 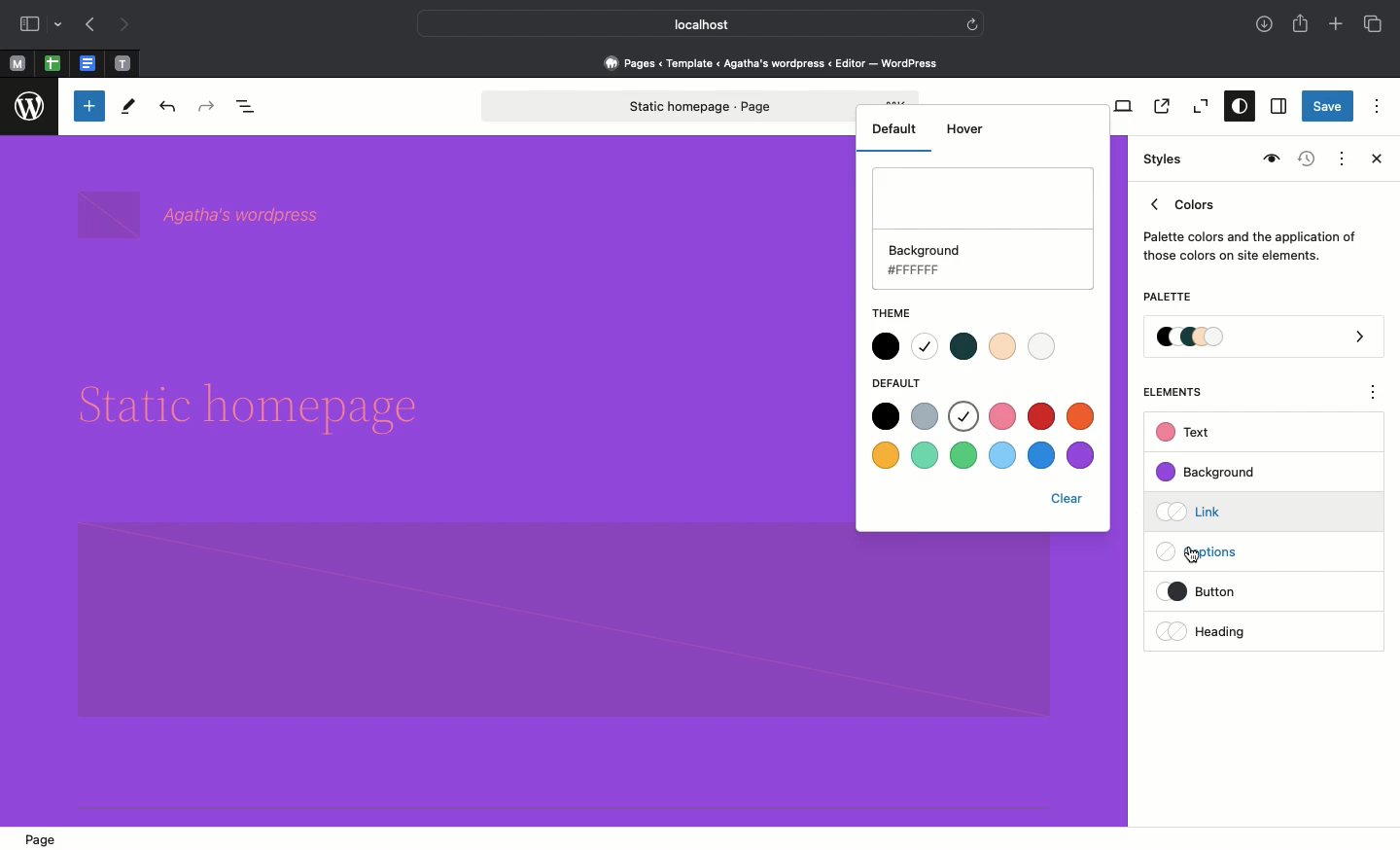 I want to click on Next page, so click(x=124, y=25).